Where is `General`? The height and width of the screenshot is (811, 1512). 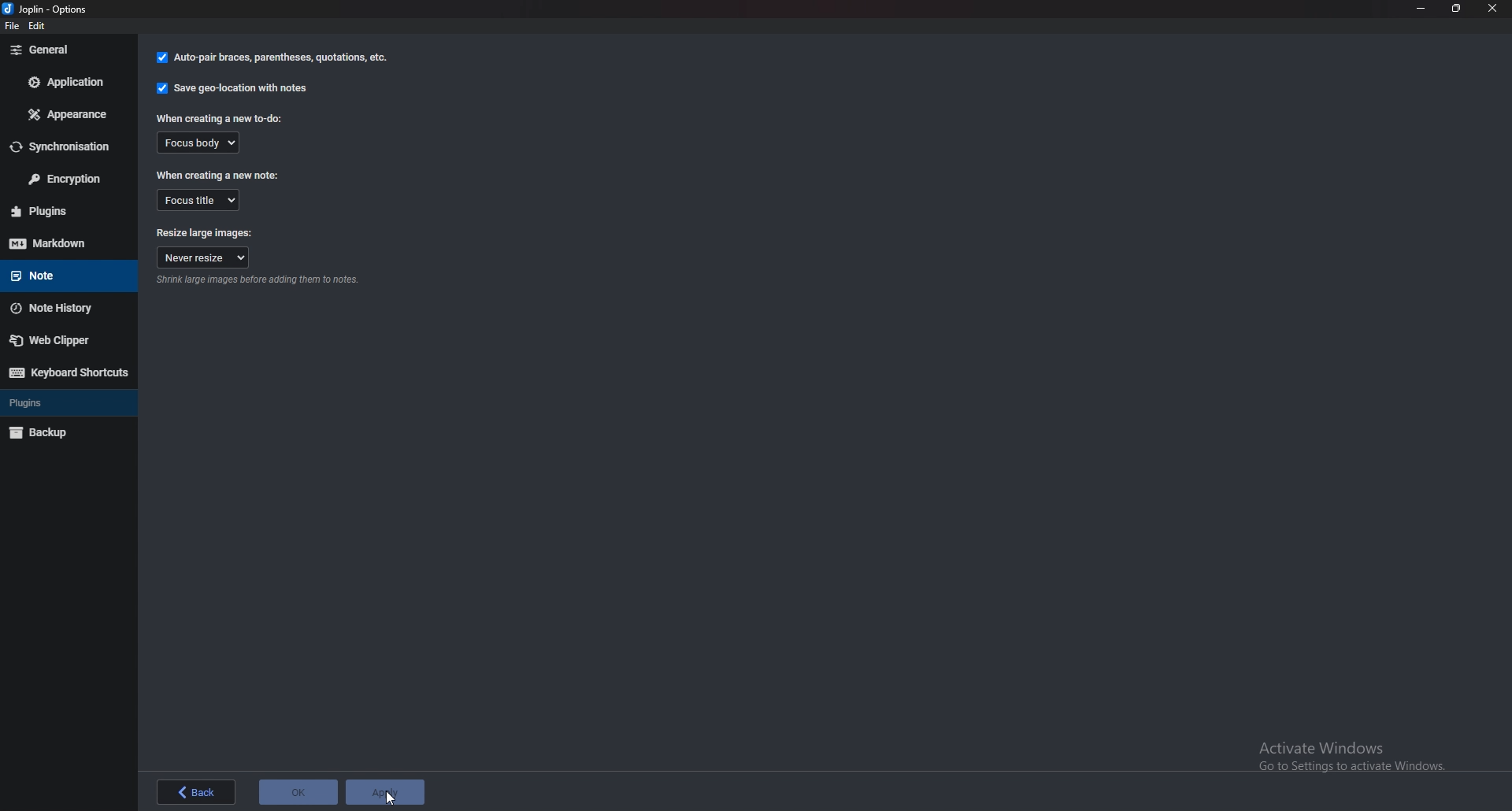 General is located at coordinates (69, 49).